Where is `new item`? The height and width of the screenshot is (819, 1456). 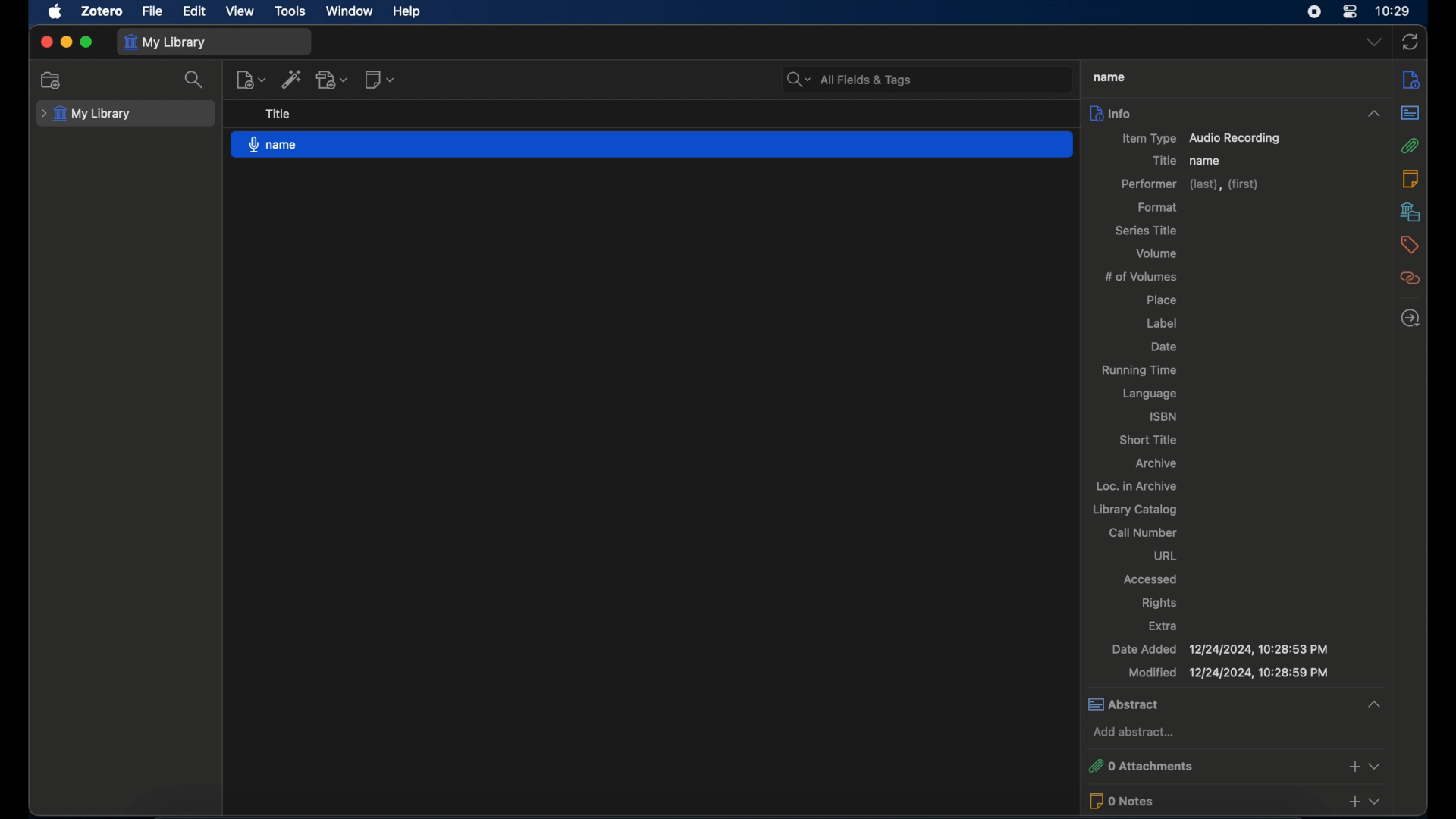
new item is located at coordinates (250, 80).